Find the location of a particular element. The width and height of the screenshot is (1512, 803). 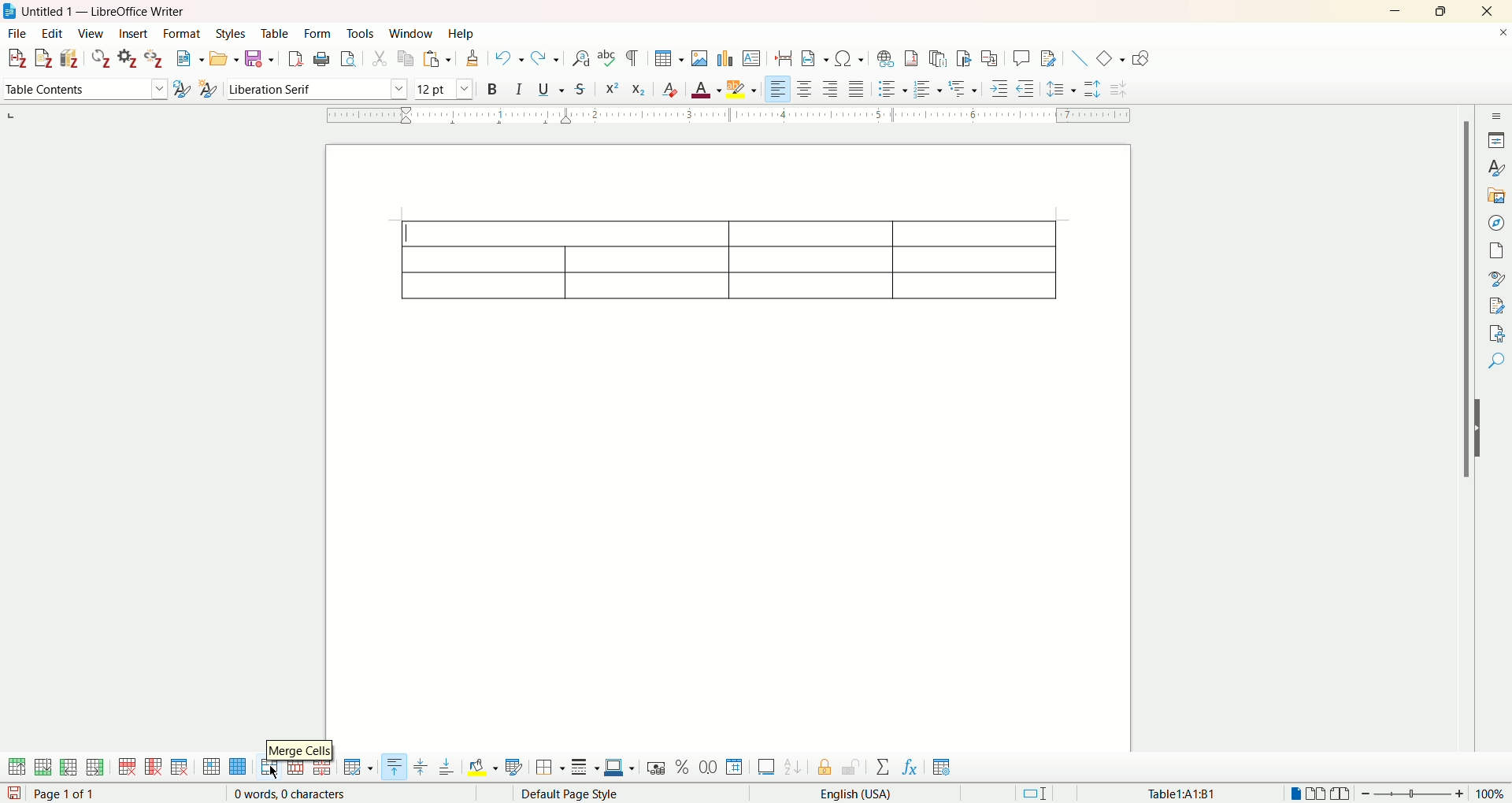

select table is located at coordinates (237, 764).